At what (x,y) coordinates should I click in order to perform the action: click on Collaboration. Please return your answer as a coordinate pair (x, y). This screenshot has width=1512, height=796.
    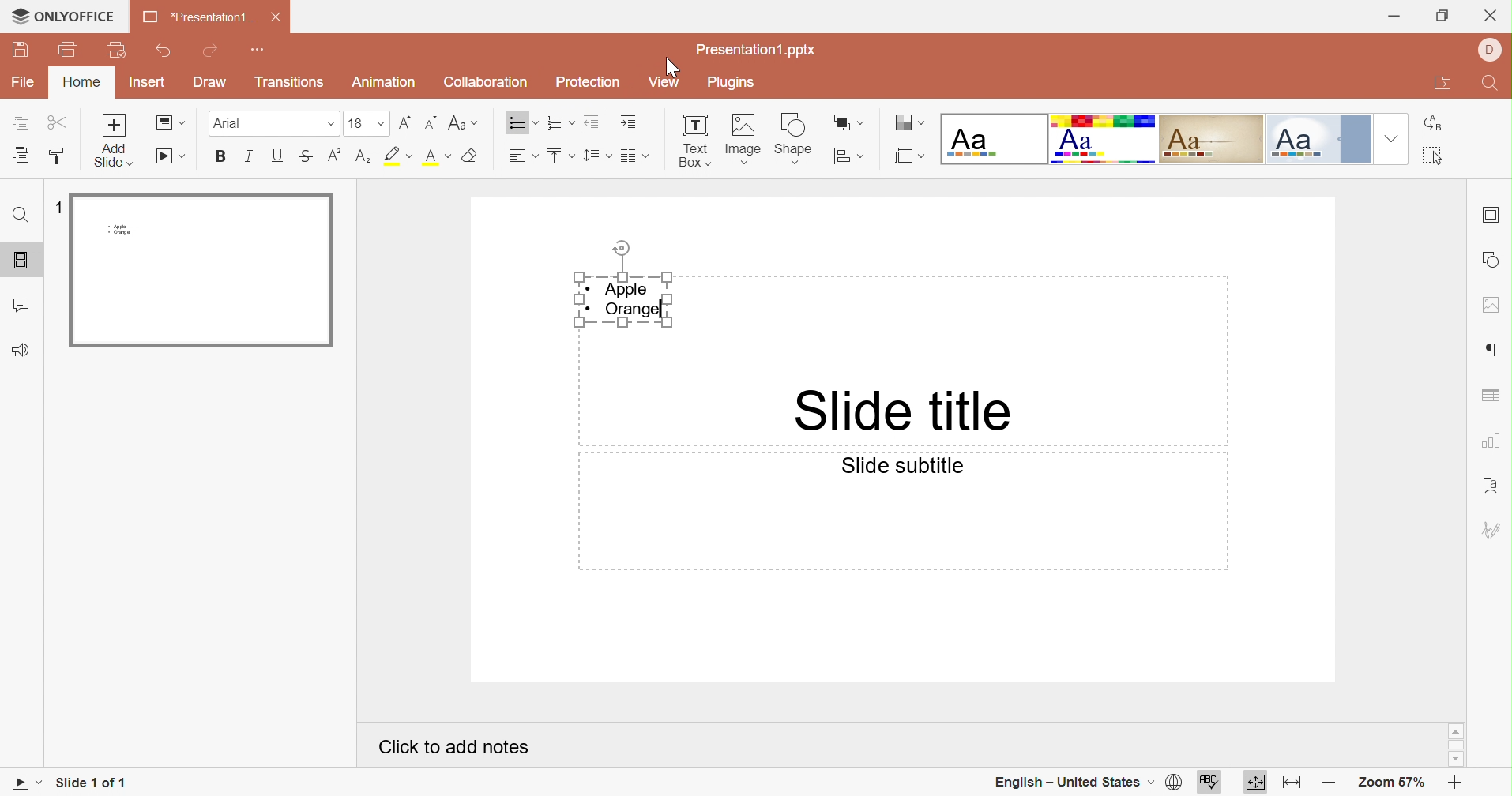
    Looking at the image, I should click on (485, 82).